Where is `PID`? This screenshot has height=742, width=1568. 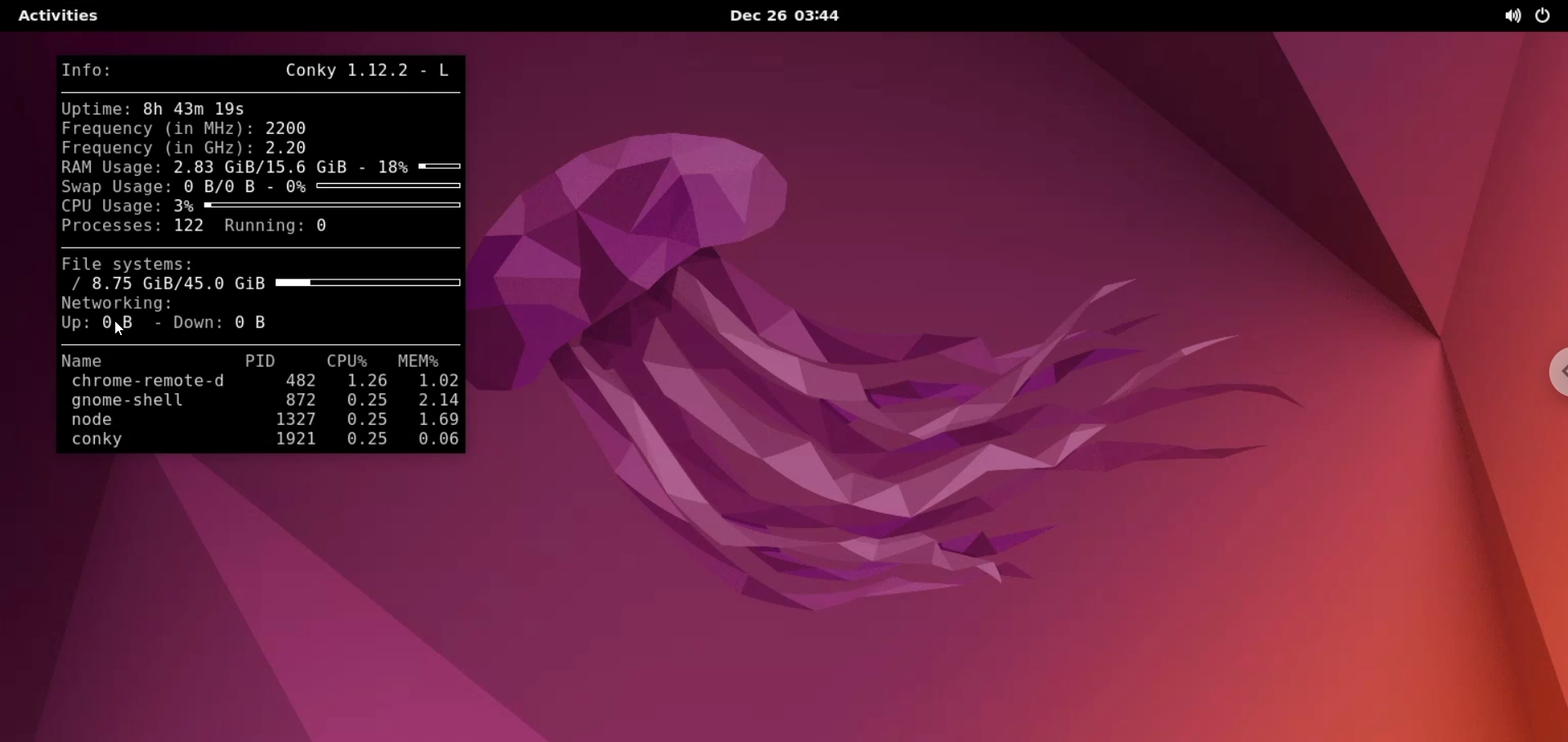 PID is located at coordinates (255, 362).